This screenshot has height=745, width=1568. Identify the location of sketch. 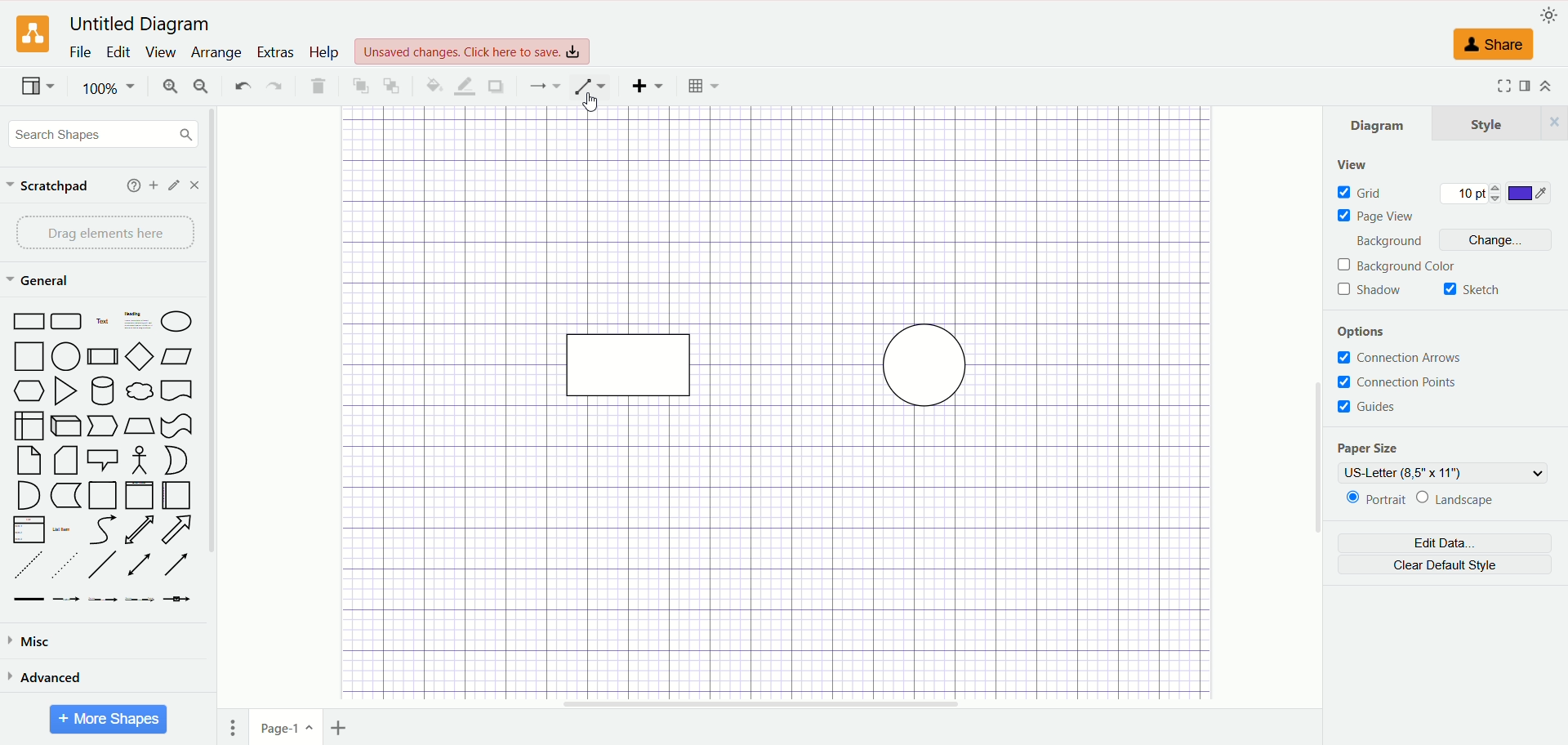
(1472, 289).